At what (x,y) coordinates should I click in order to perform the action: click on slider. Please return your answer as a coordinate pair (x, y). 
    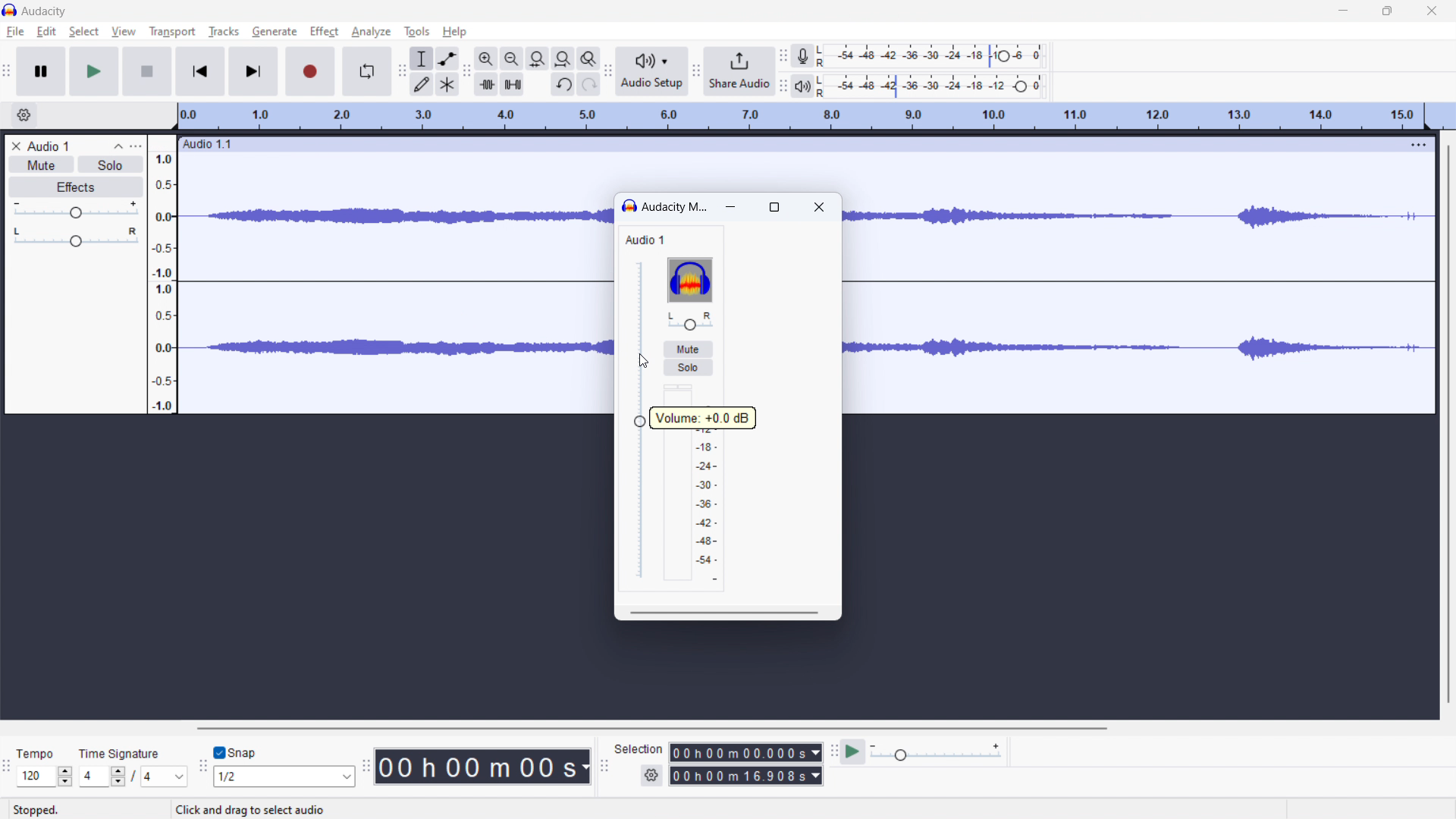
    Looking at the image, I should click on (641, 419).